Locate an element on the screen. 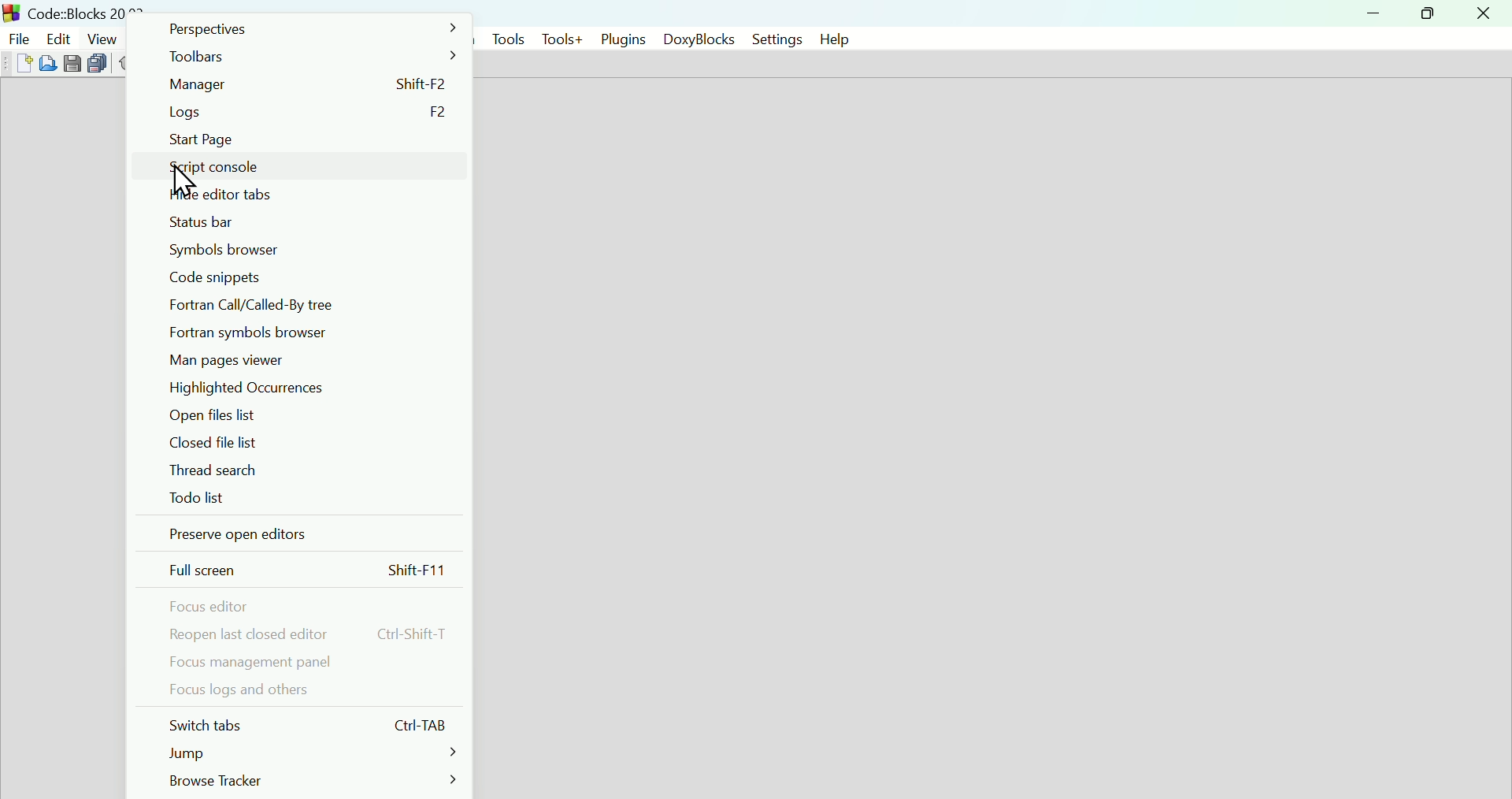 The height and width of the screenshot is (799, 1512). help is located at coordinates (832, 39).